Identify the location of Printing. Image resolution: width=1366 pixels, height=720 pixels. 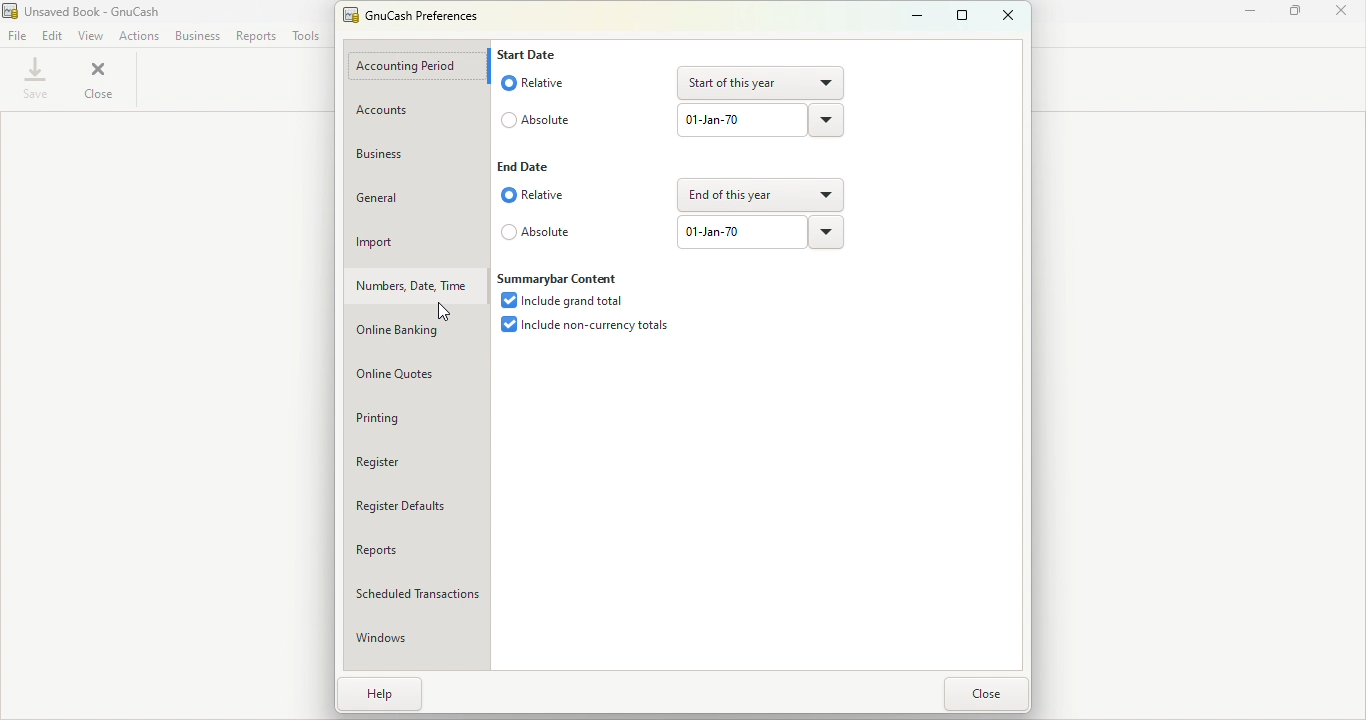
(405, 418).